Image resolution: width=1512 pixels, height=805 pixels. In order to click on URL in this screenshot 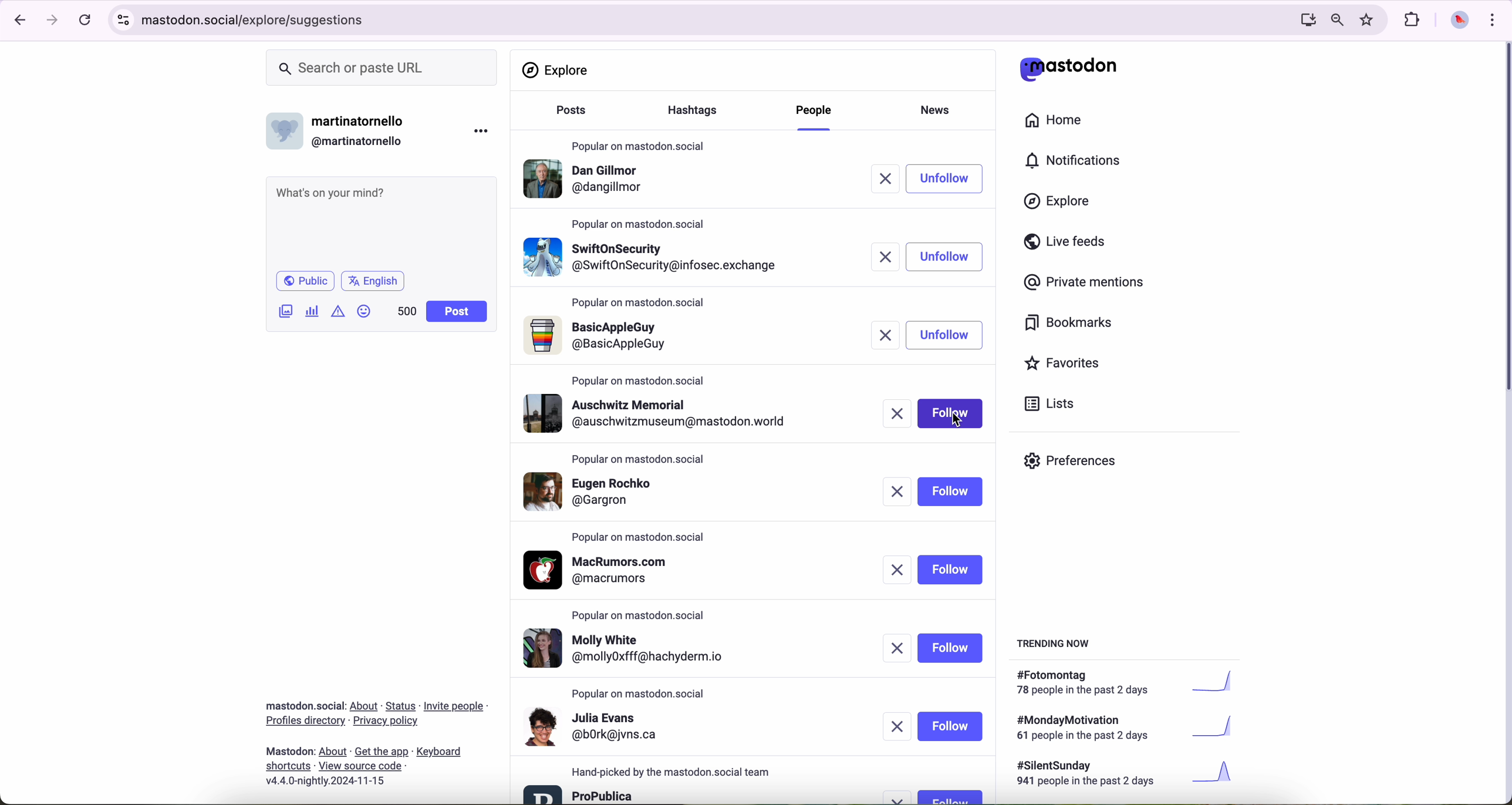, I will do `click(258, 18)`.